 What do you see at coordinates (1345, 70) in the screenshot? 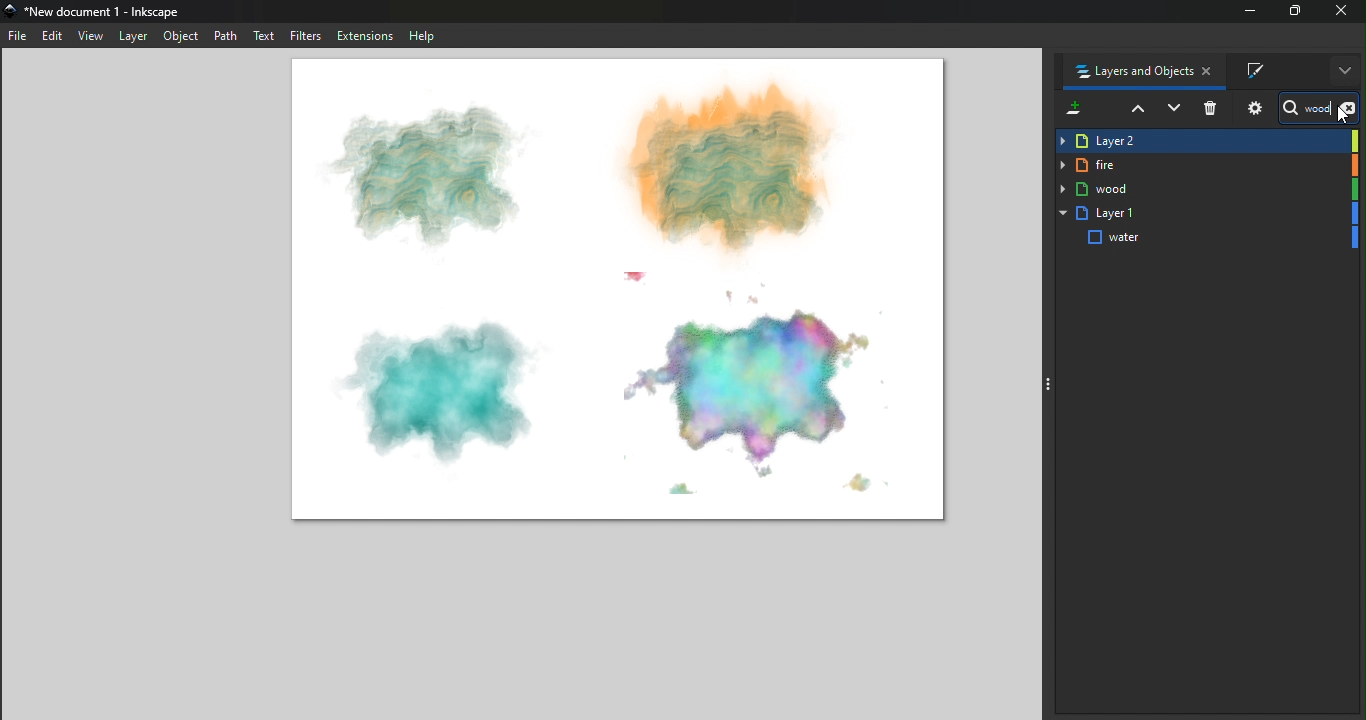
I see `More options` at bounding box center [1345, 70].